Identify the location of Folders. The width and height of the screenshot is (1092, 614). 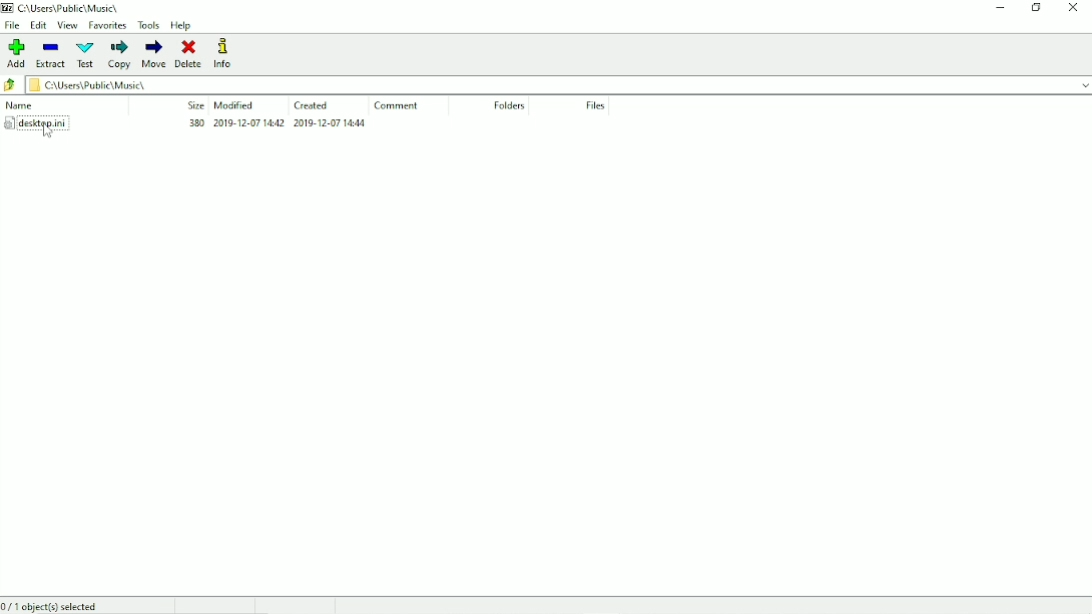
(509, 106).